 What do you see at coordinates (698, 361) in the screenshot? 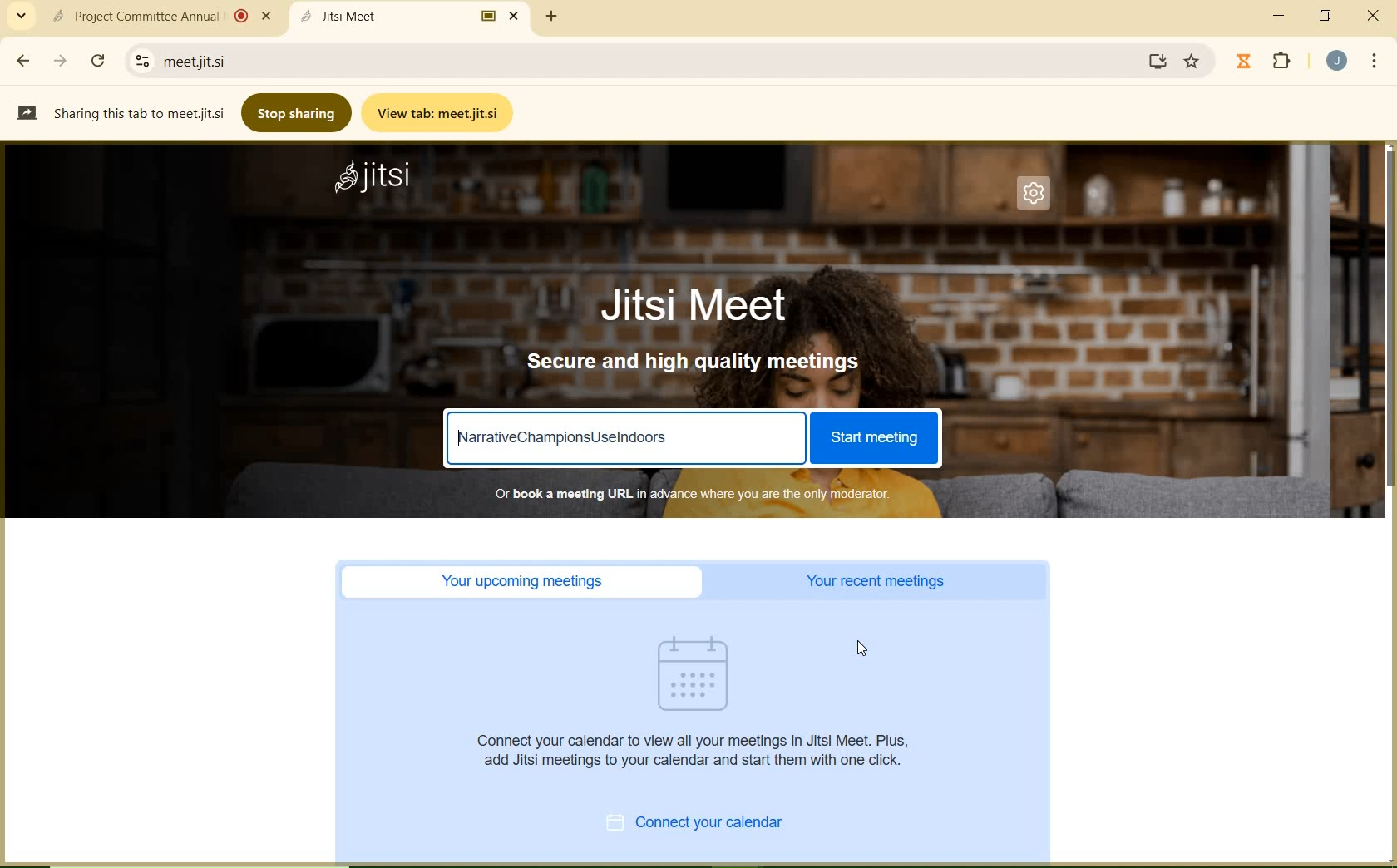
I see `secure and high quality meetings` at bounding box center [698, 361].